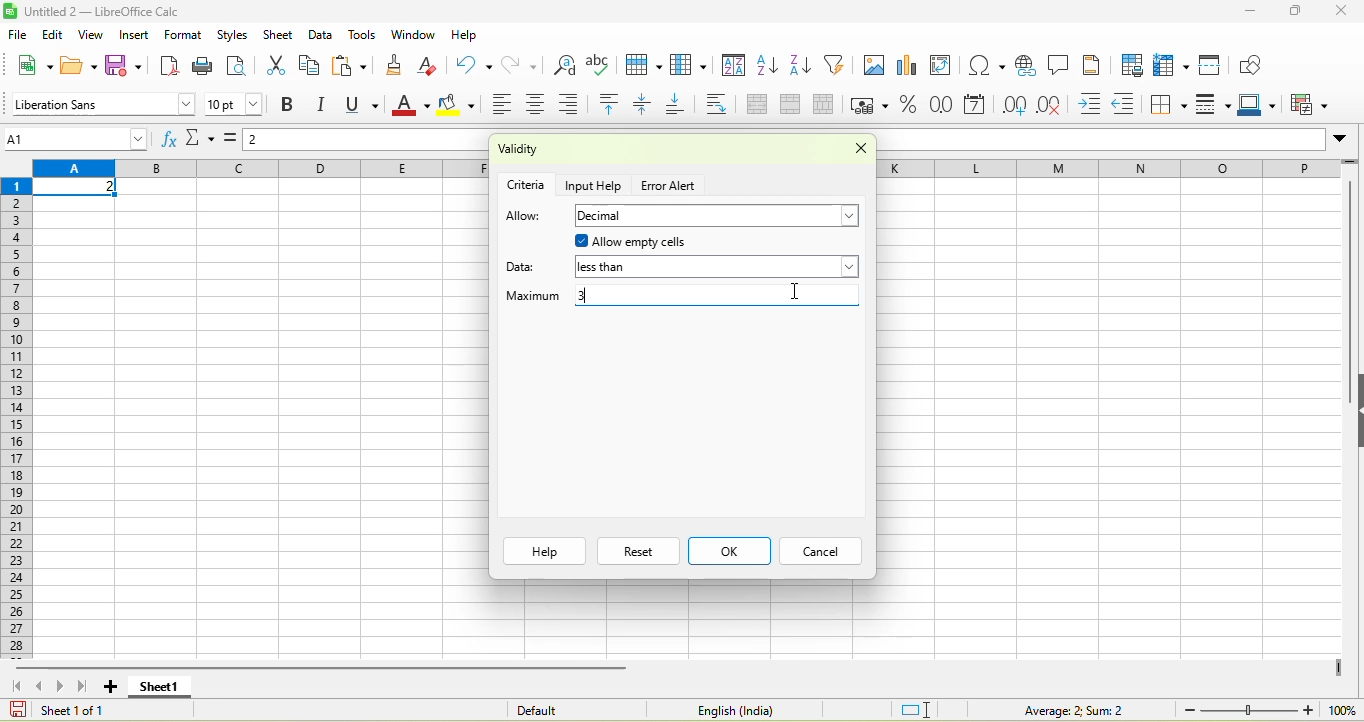 The height and width of the screenshot is (722, 1364). Describe the element at coordinates (1025, 65) in the screenshot. I see `hyperlink` at that location.